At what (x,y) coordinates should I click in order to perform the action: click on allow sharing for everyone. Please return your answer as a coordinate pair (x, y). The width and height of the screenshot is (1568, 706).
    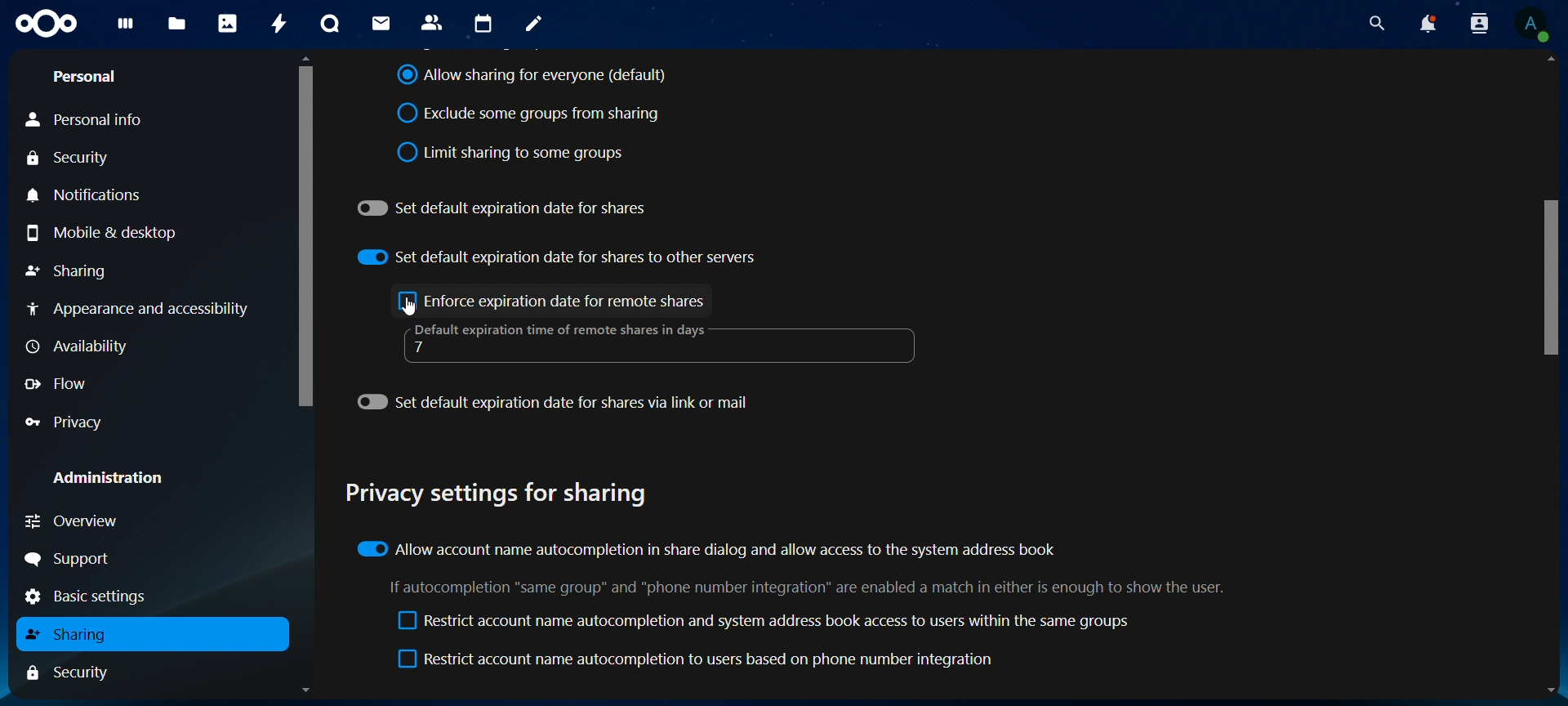
    Looking at the image, I should click on (532, 77).